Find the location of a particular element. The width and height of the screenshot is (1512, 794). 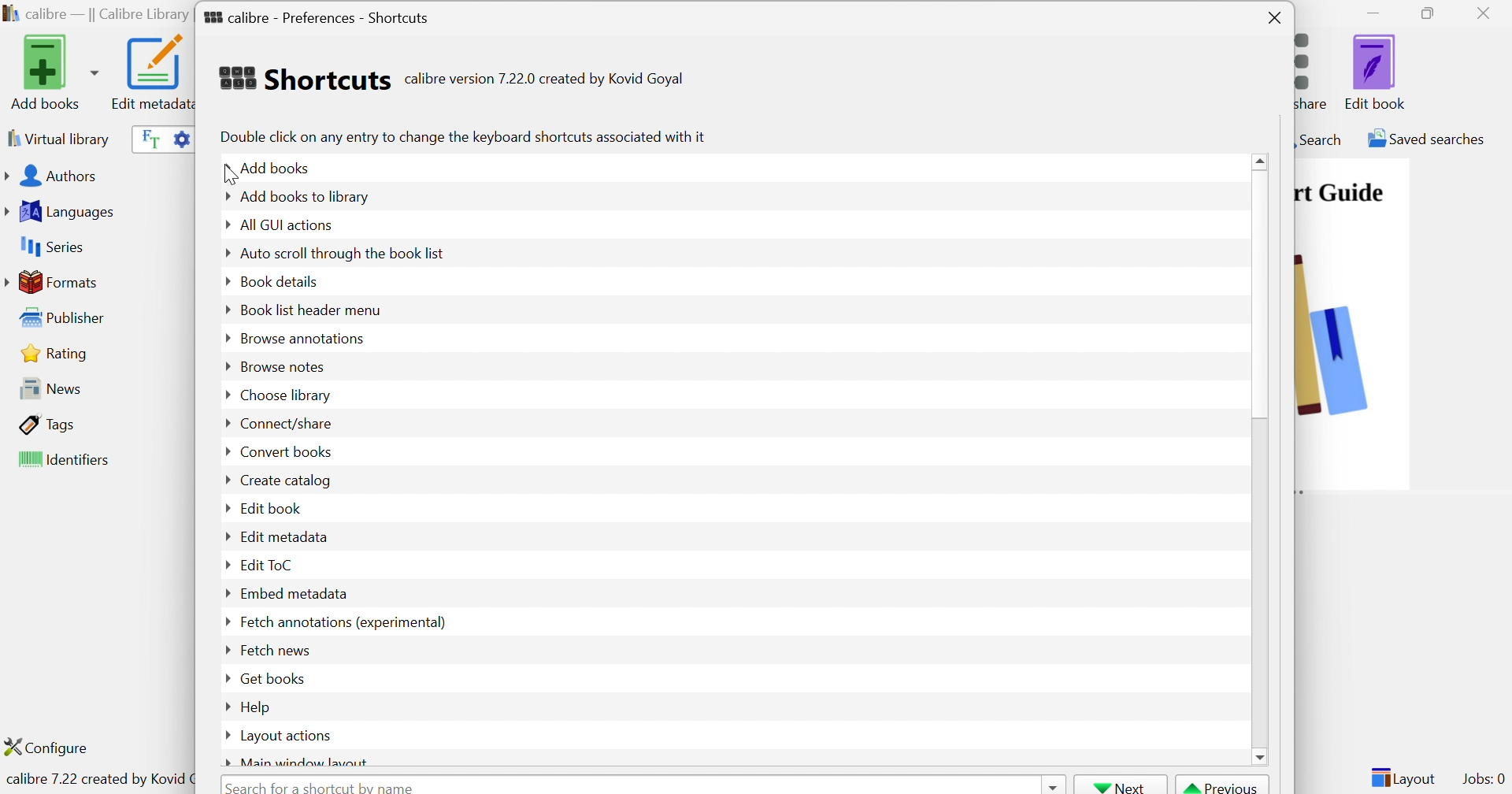

Close is located at coordinates (1488, 13).